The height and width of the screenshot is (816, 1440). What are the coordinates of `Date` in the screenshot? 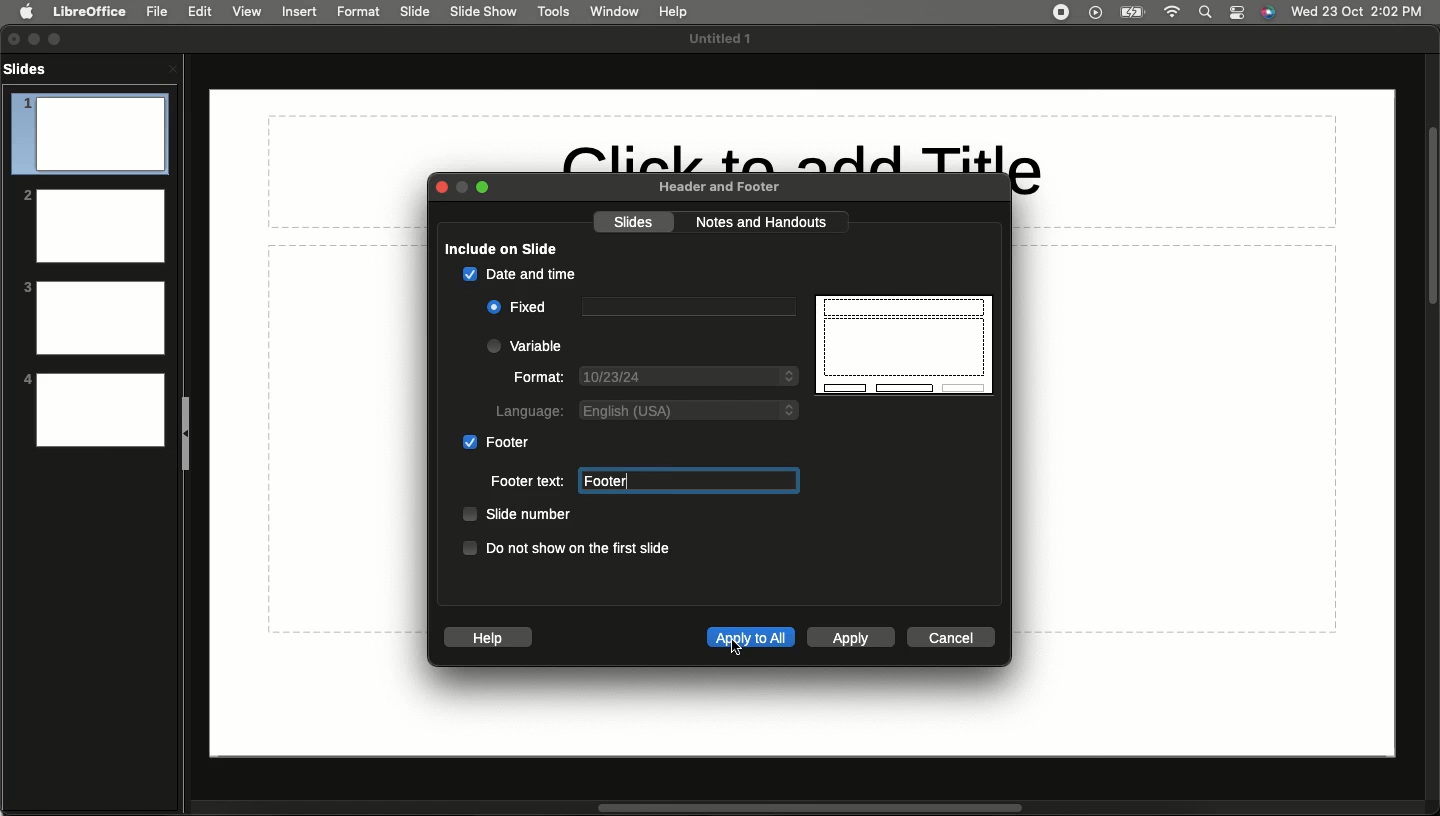 It's located at (688, 377).